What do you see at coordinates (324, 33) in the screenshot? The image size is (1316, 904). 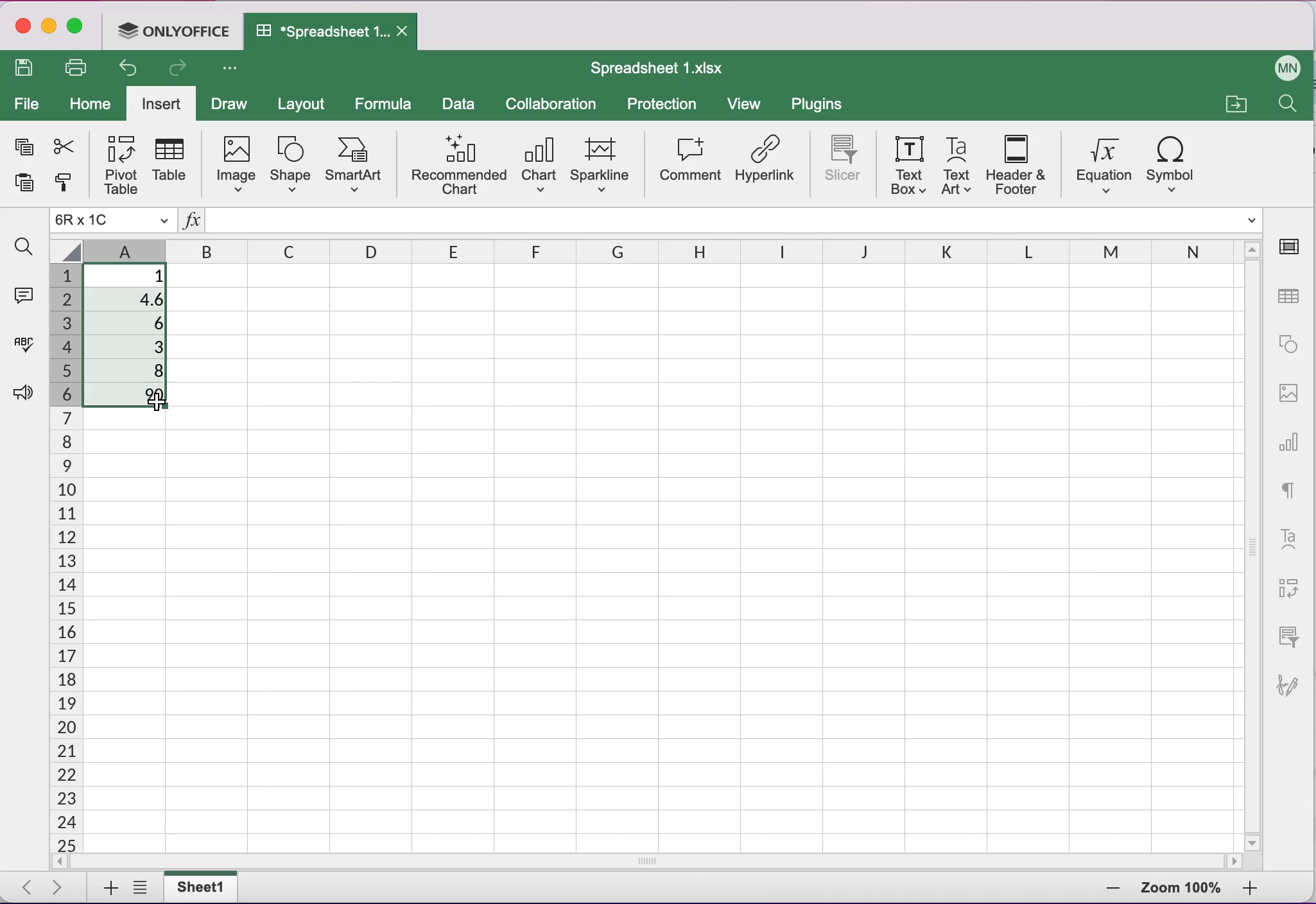 I see `Spreadsheet 1.xIsx` at bounding box center [324, 33].